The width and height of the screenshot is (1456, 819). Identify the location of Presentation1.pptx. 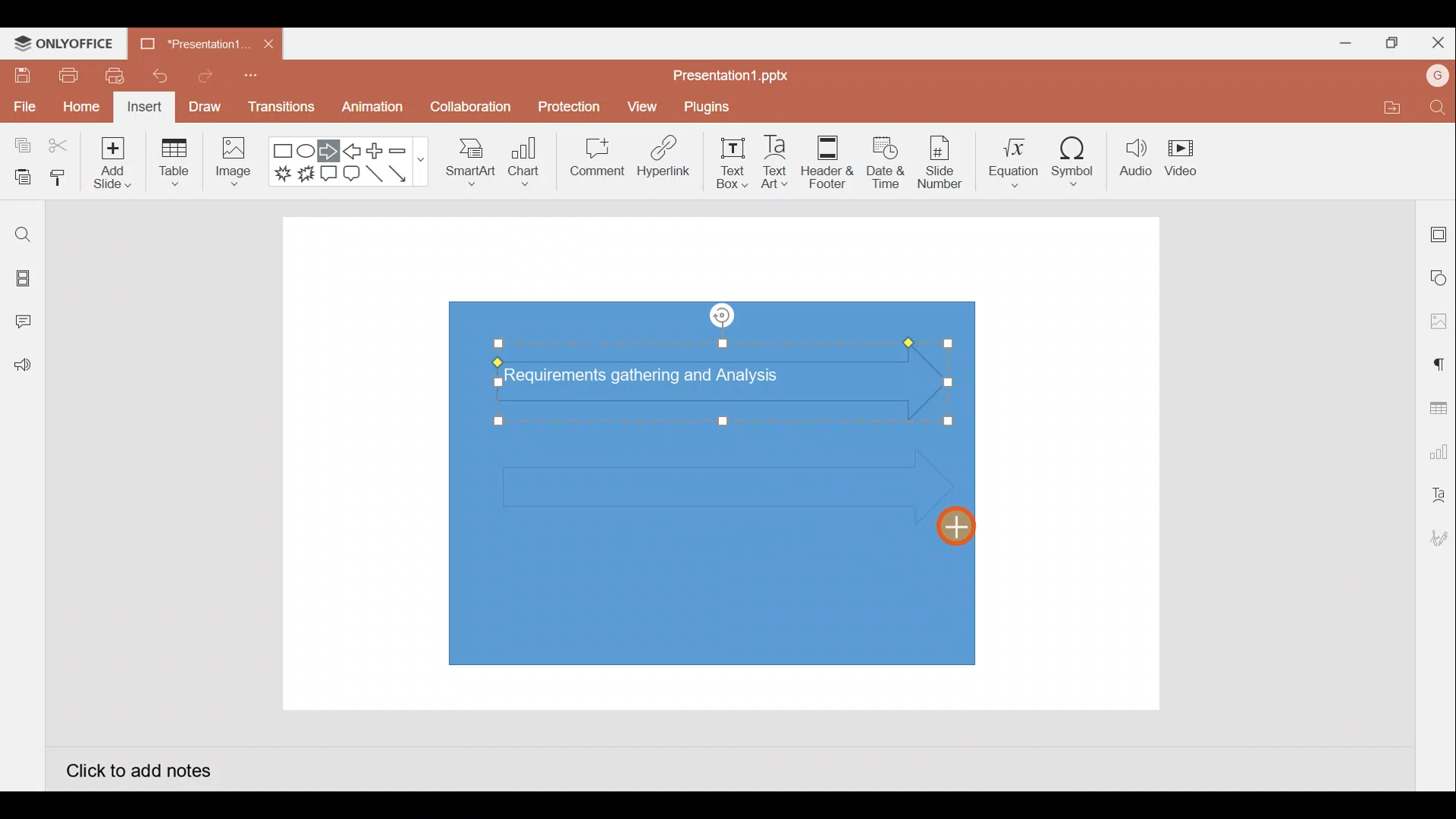
(736, 73).